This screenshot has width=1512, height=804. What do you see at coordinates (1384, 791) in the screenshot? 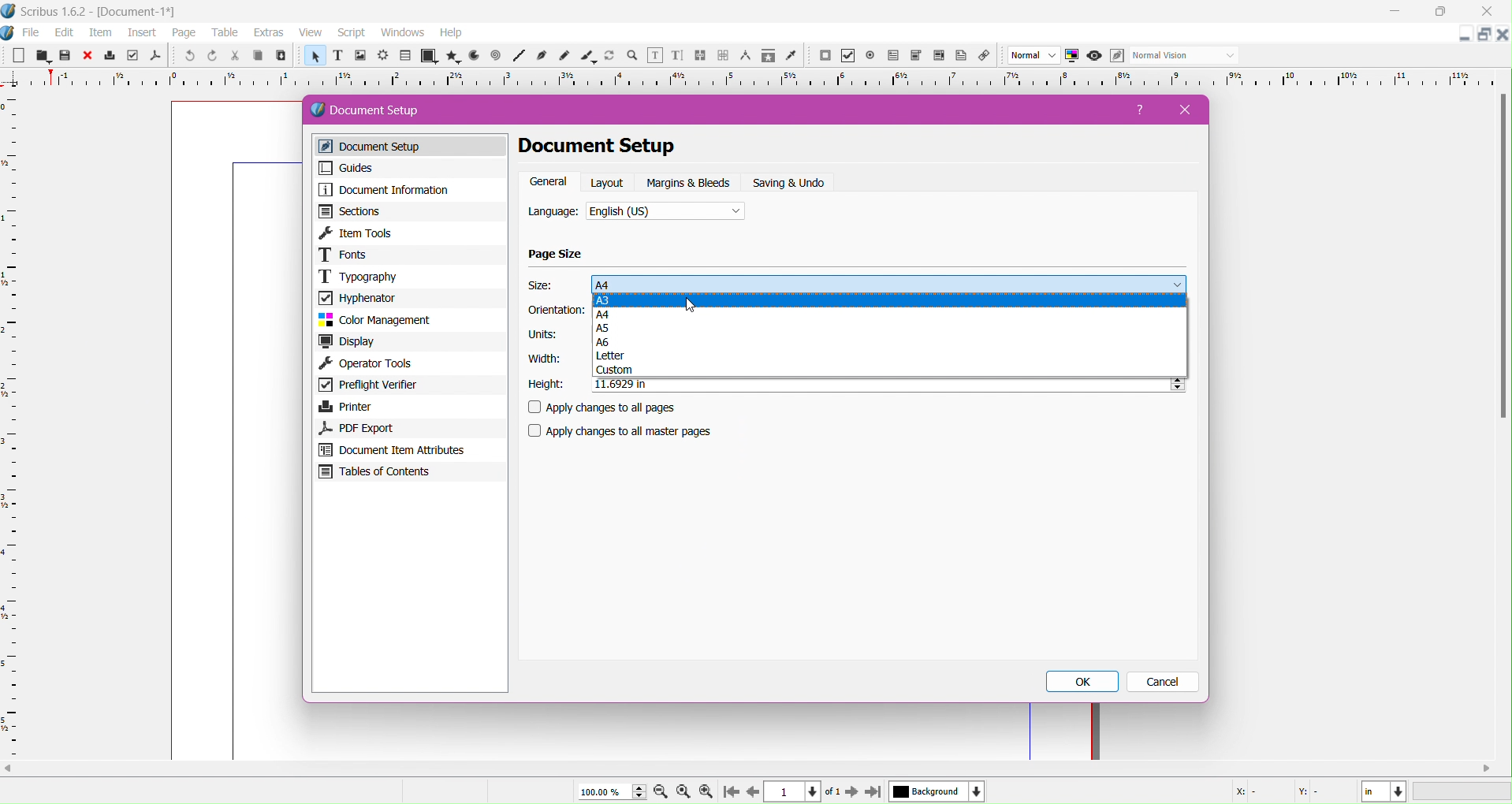
I see `measurement unit` at bounding box center [1384, 791].